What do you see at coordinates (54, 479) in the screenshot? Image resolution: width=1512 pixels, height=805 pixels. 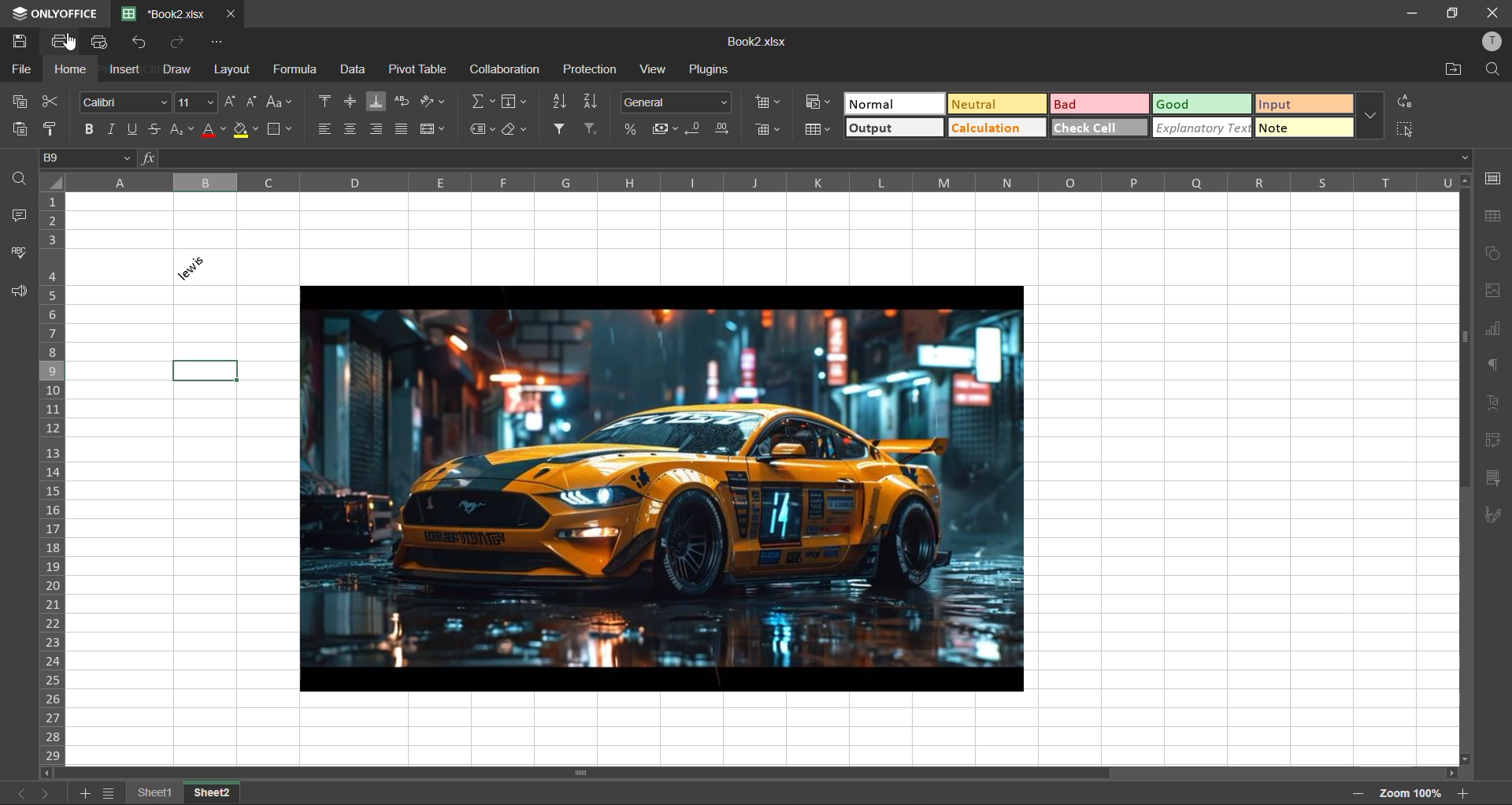 I see `row numbers` at bounding box center [54, 479].